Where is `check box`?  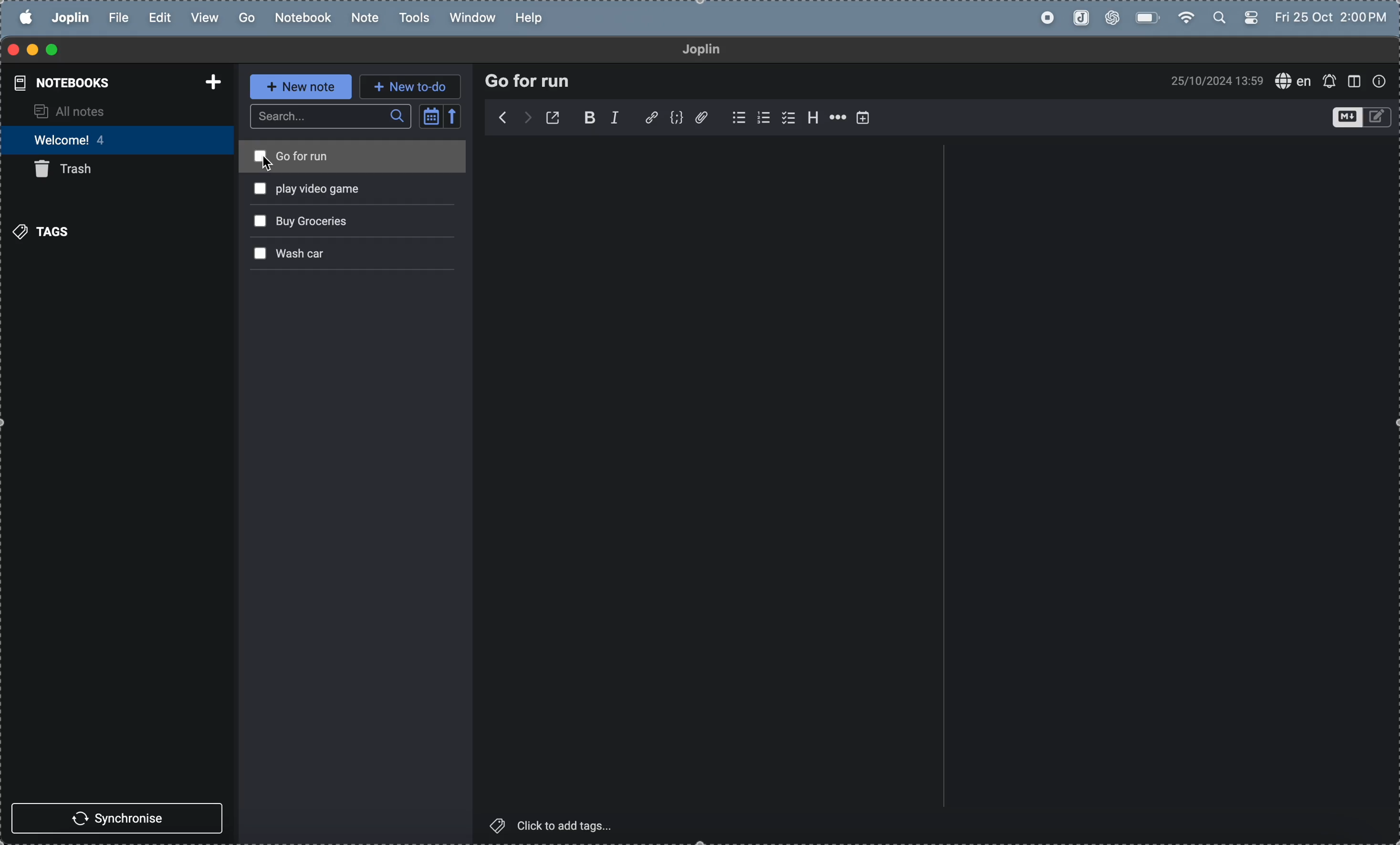
check box is located at coordinates (256, 221).